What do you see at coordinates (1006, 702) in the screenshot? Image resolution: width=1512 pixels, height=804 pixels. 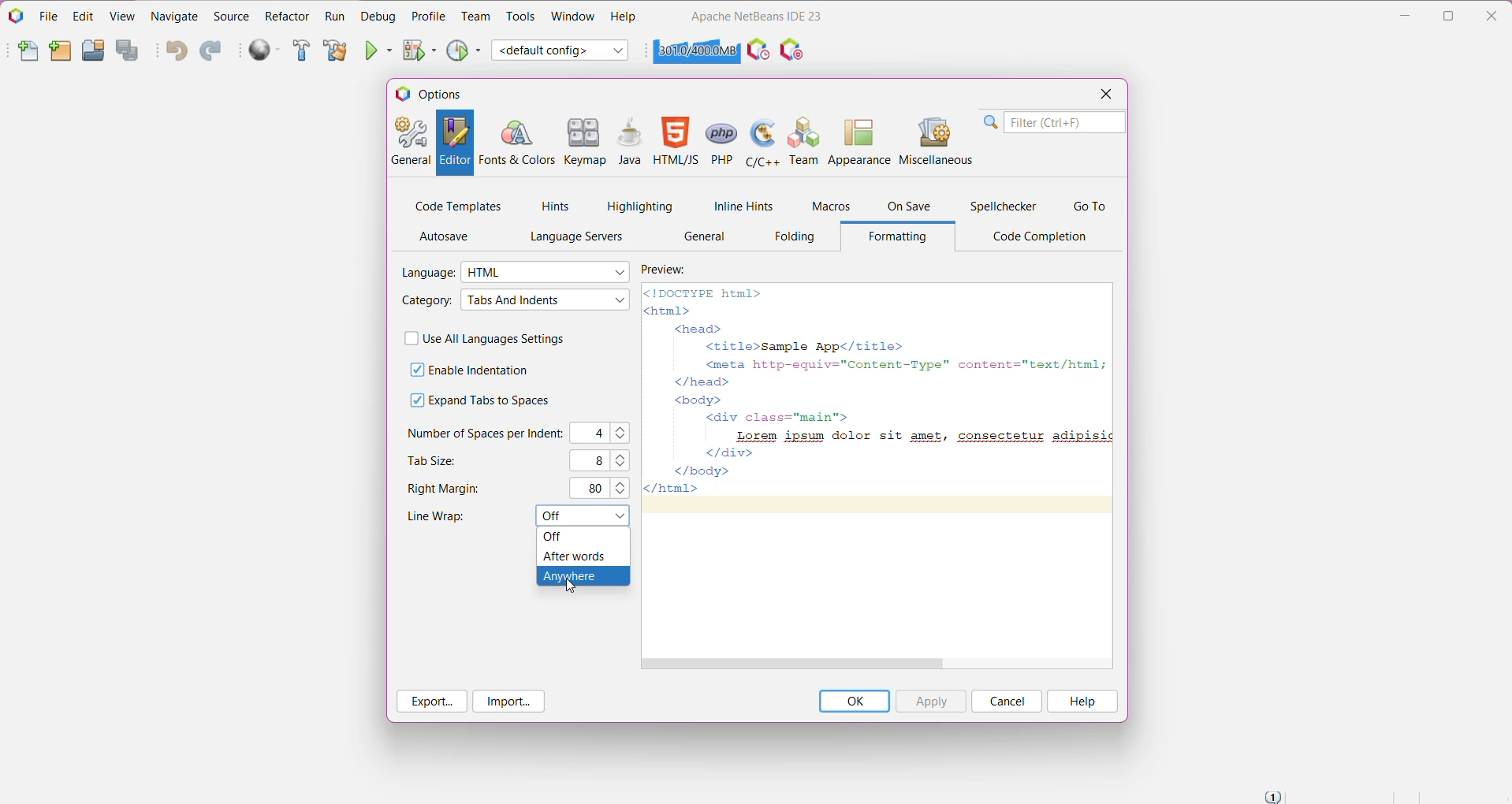 I see `Cancel` at bounding box center [1006, 702].